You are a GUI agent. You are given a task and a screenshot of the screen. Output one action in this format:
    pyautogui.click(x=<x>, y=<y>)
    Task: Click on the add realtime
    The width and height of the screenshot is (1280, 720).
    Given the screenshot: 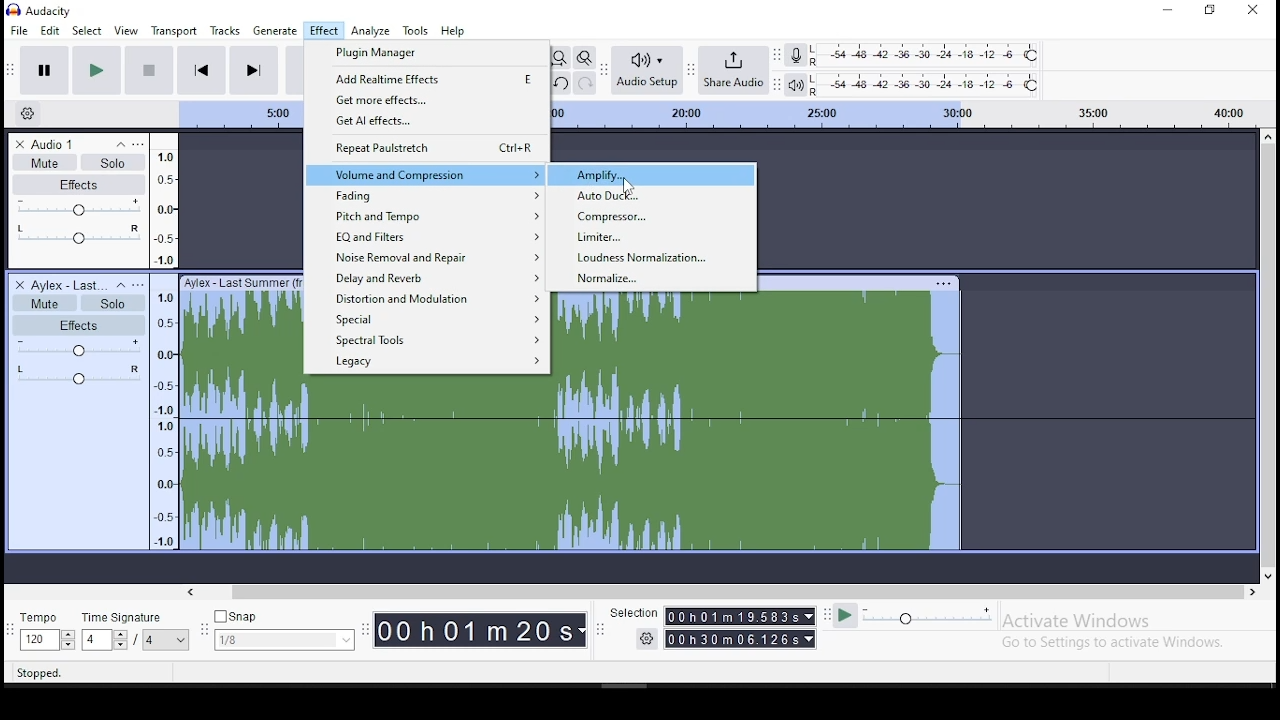 What is the action you would take?
    pyautogui.click(x=427, y=79)
    